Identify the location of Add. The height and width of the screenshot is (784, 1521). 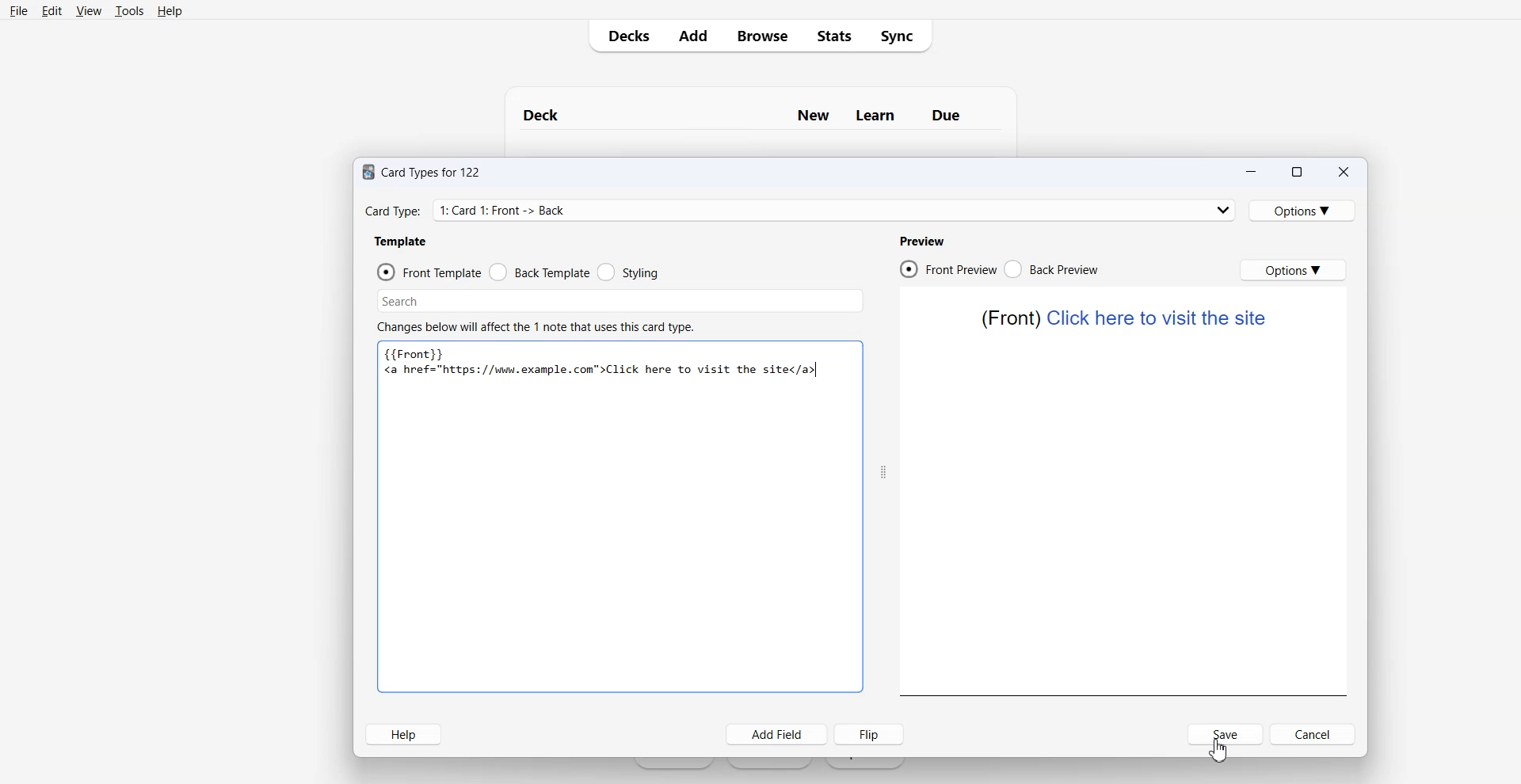
(692, 37).